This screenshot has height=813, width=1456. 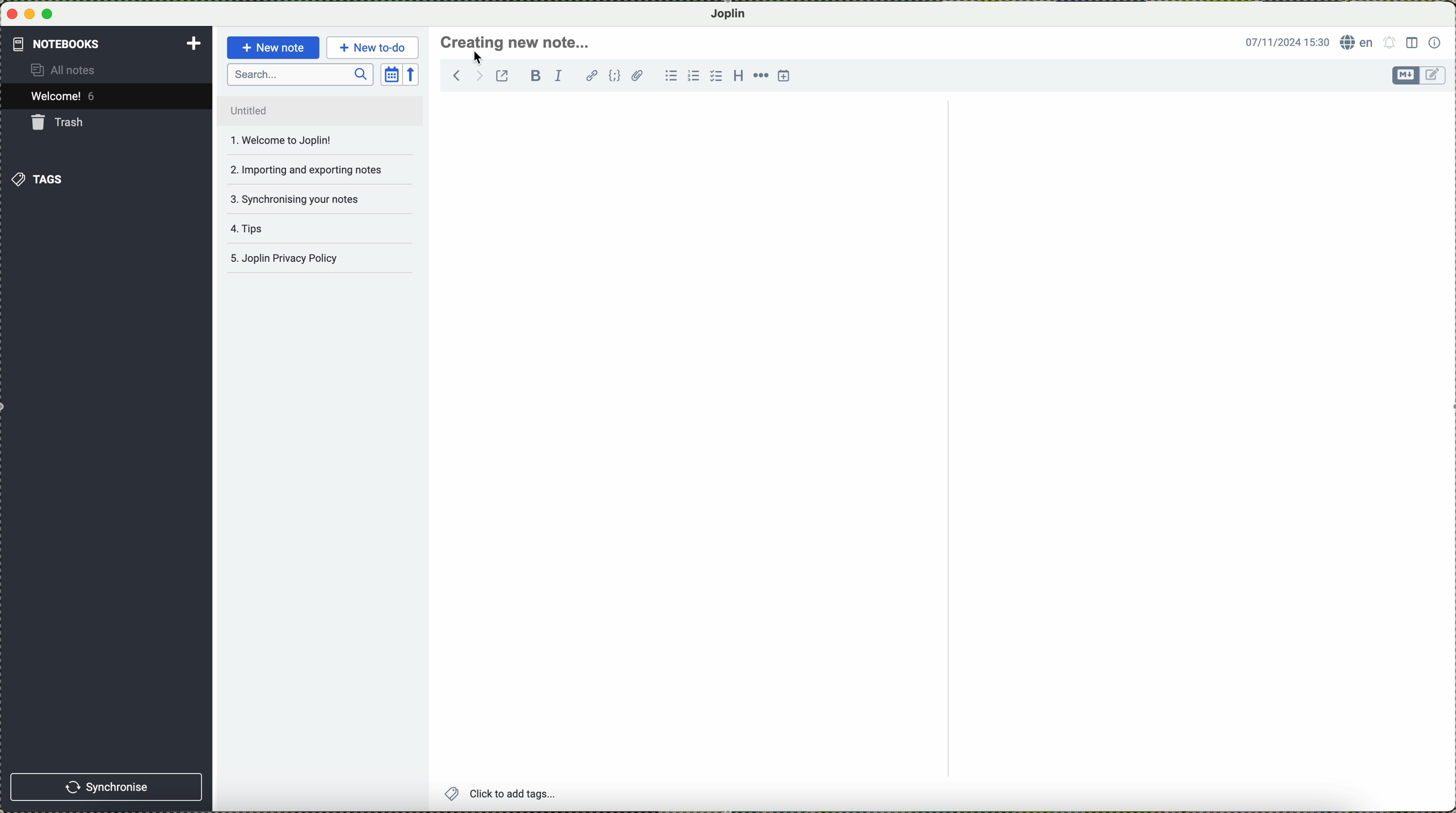 I want to click on toggle editor layout, so click(x=1411, y=43).